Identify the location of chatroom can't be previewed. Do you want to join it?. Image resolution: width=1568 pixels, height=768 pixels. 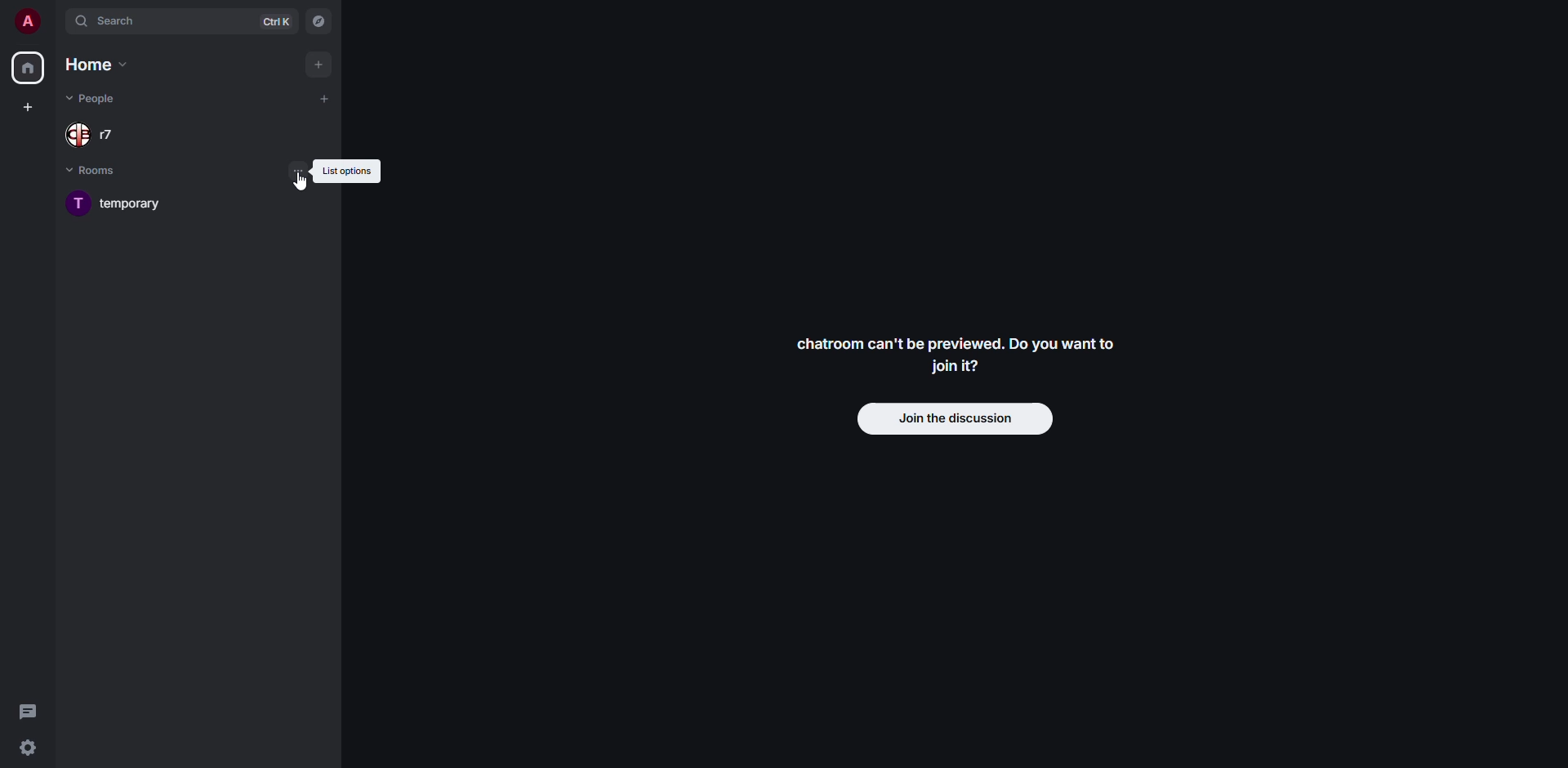
(963, 356).